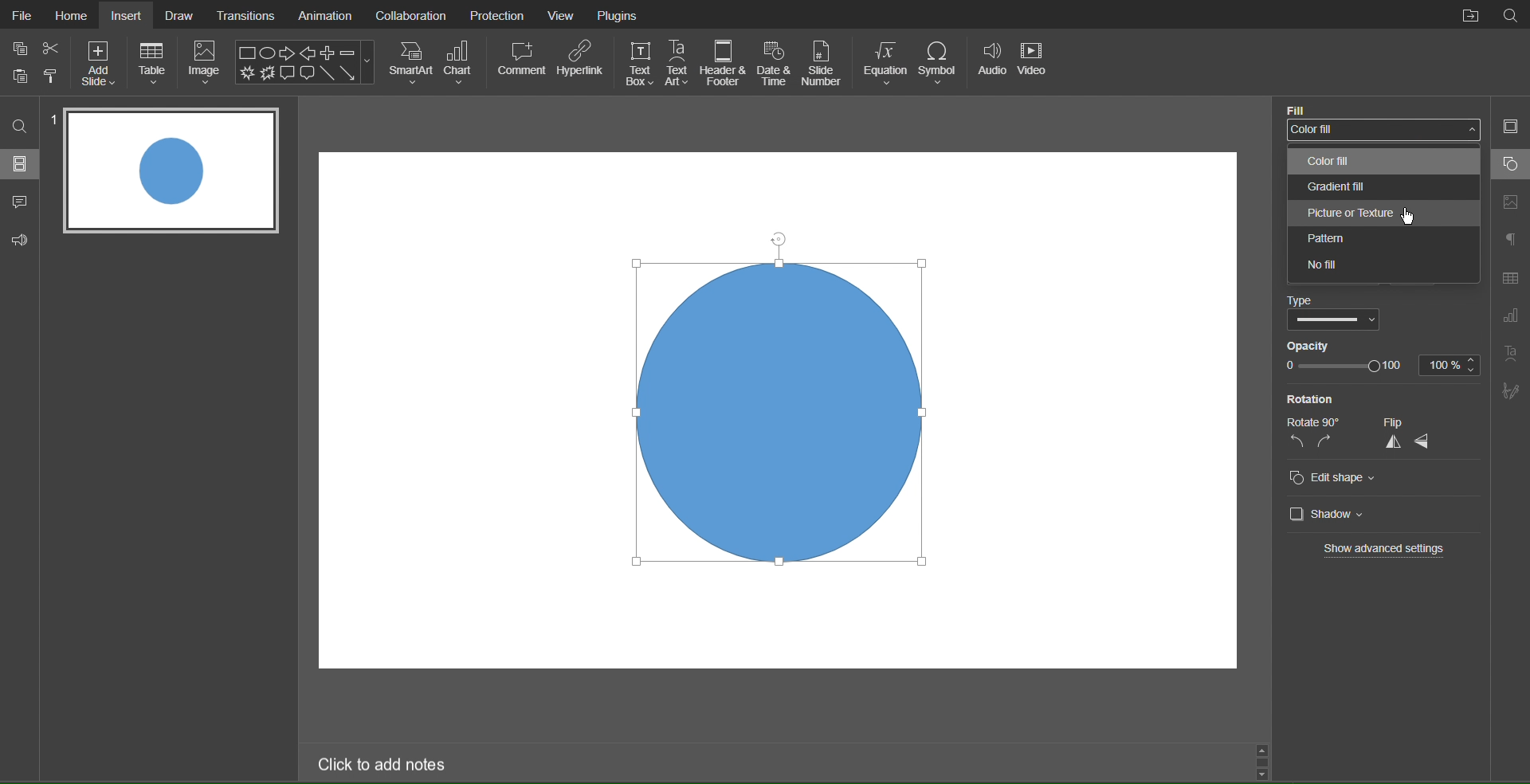  Describe the element at coordinates (70, 14) in the screenshot. I see `Home` at that location.